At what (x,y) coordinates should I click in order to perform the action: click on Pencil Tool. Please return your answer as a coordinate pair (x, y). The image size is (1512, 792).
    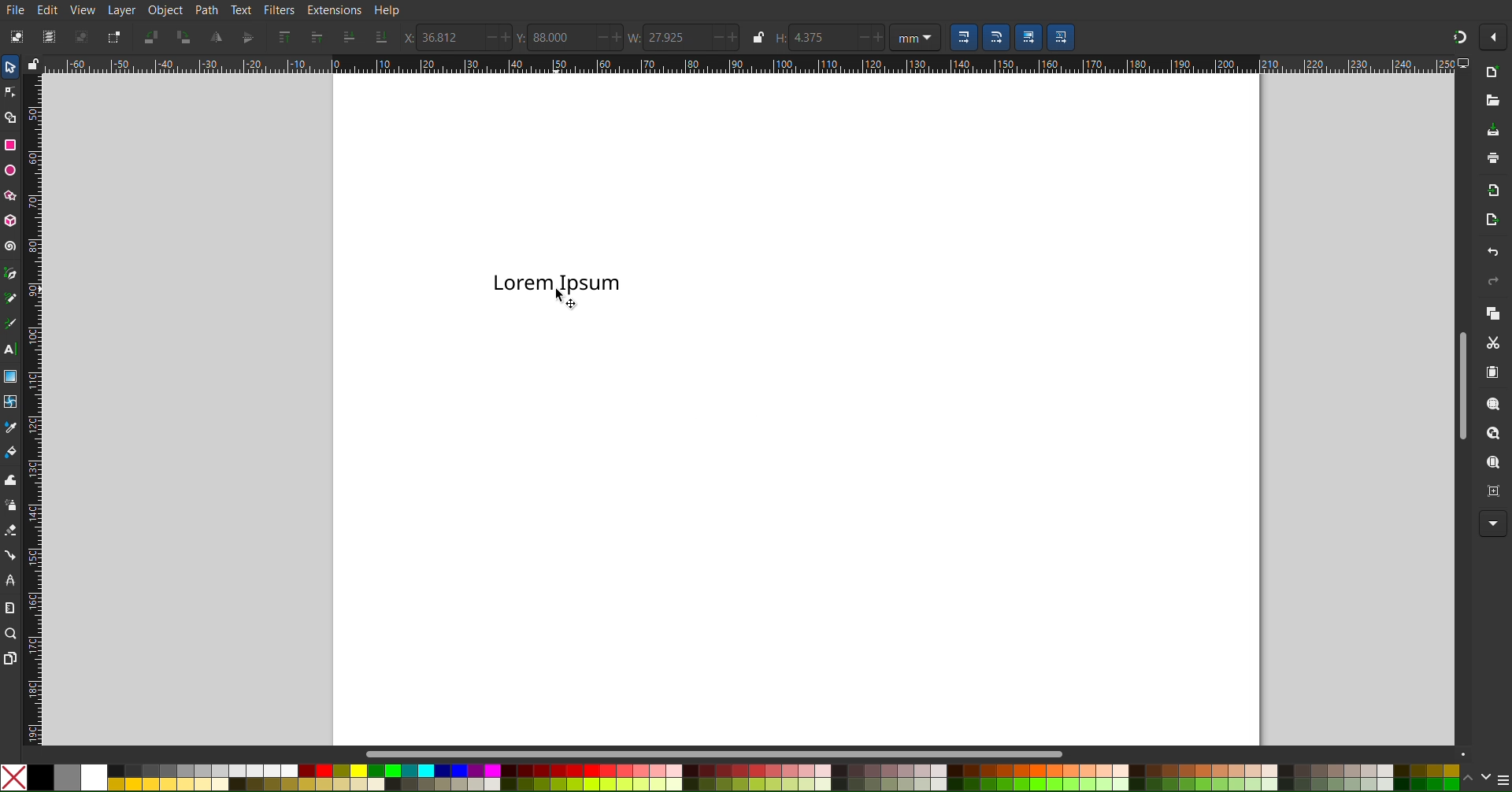
    Looking at the image, I should click on (11, 298).